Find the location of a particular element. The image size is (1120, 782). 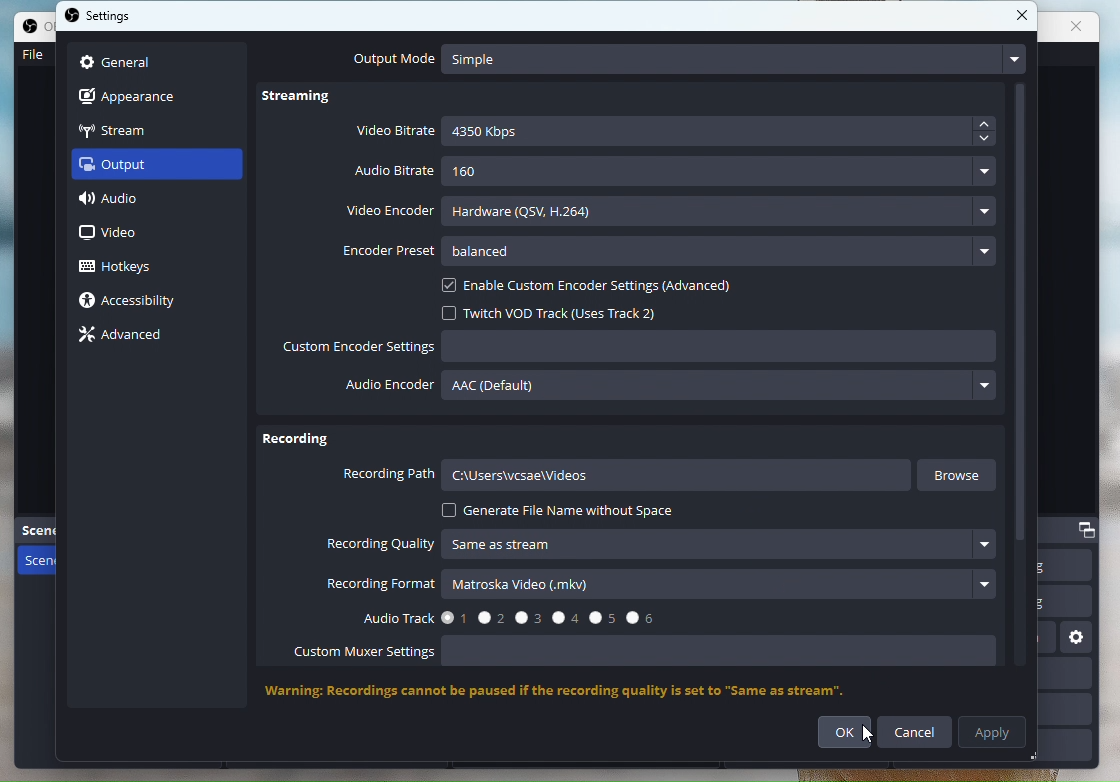

Custom Muxer Settings is located at coordinates (655, 654).